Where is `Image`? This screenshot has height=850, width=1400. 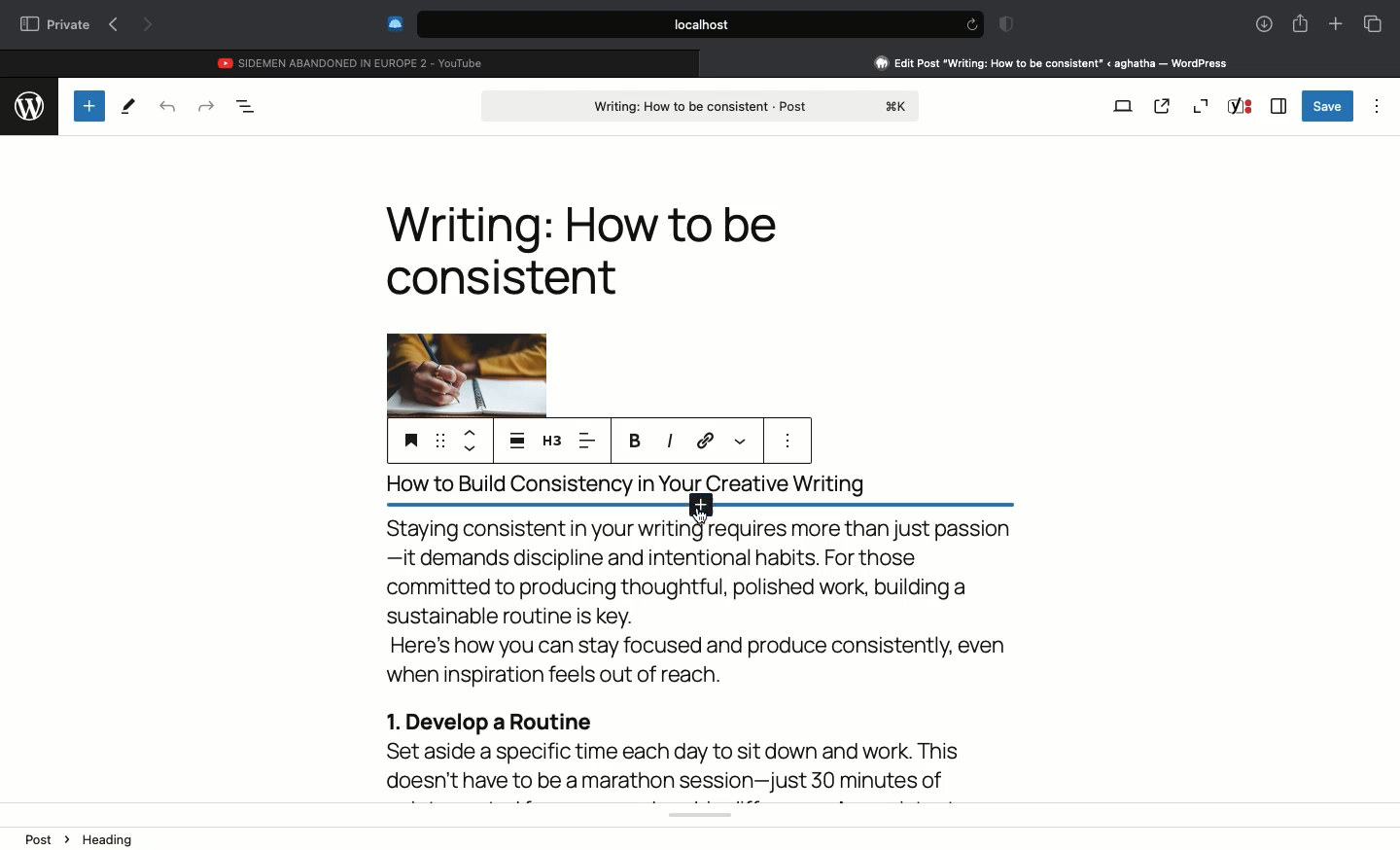 Image is located at coordinates (466, 371).